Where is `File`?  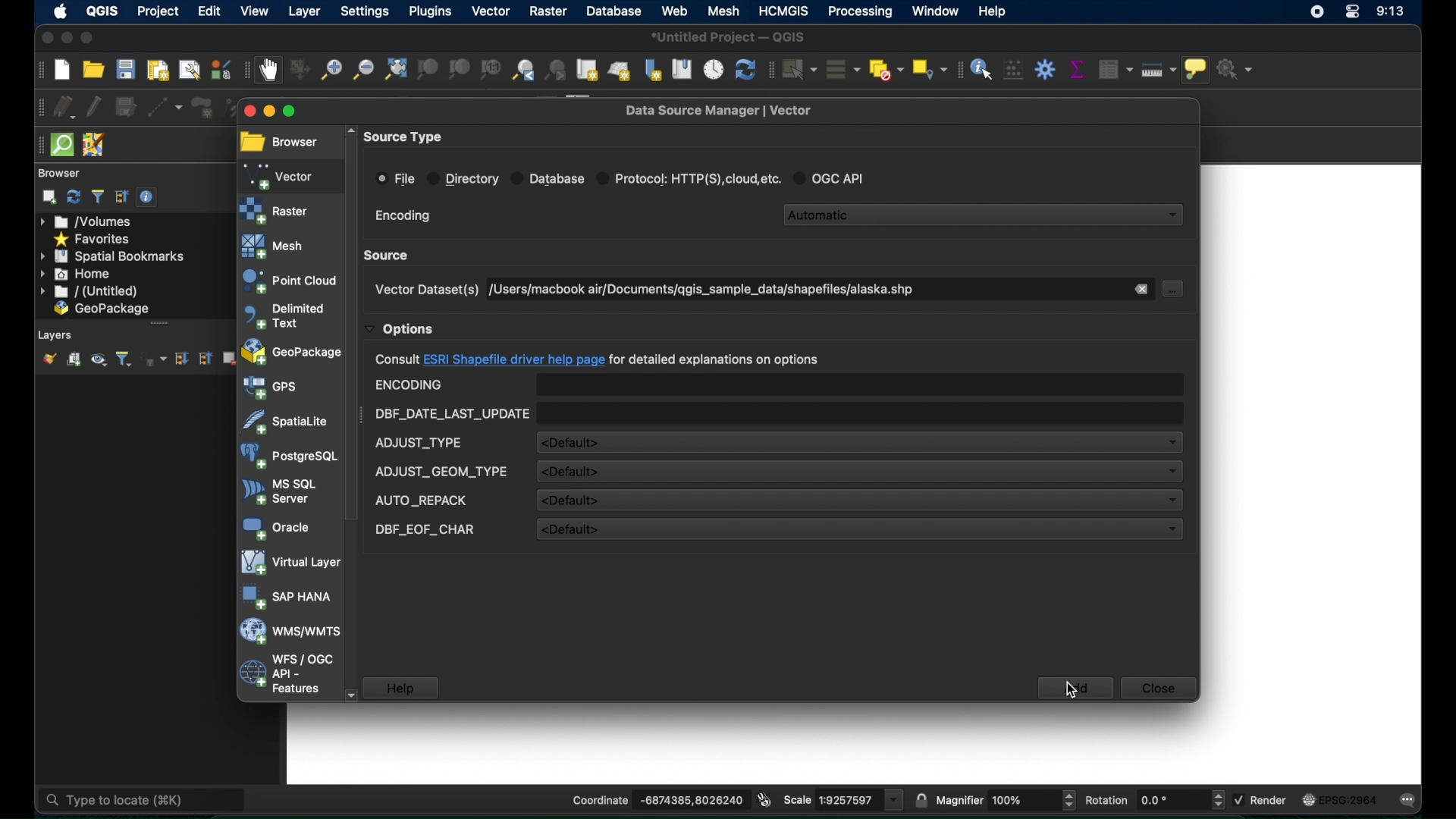 File is located at coordinates (396, 178).